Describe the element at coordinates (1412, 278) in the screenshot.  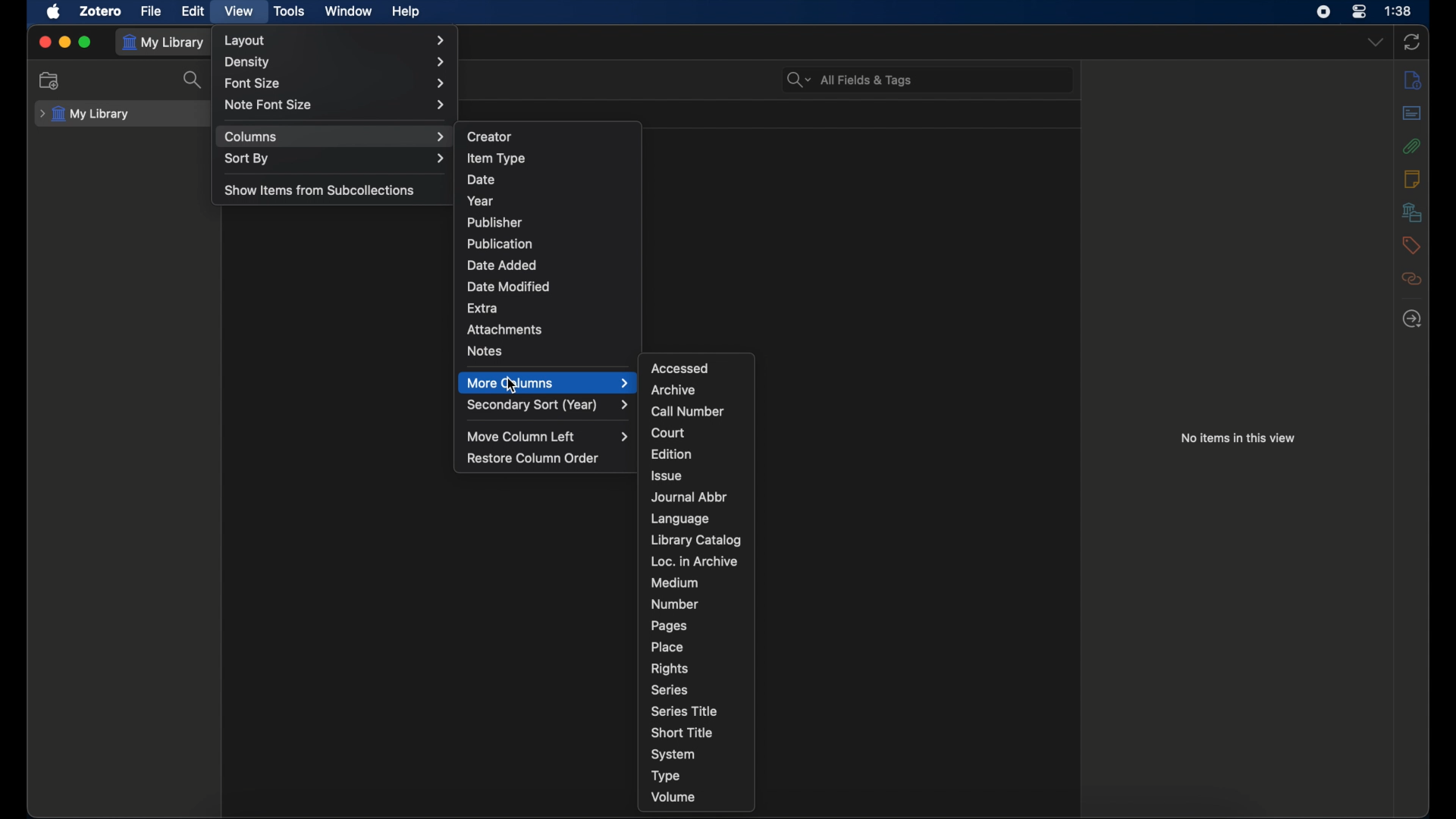
I see `related` at that location.